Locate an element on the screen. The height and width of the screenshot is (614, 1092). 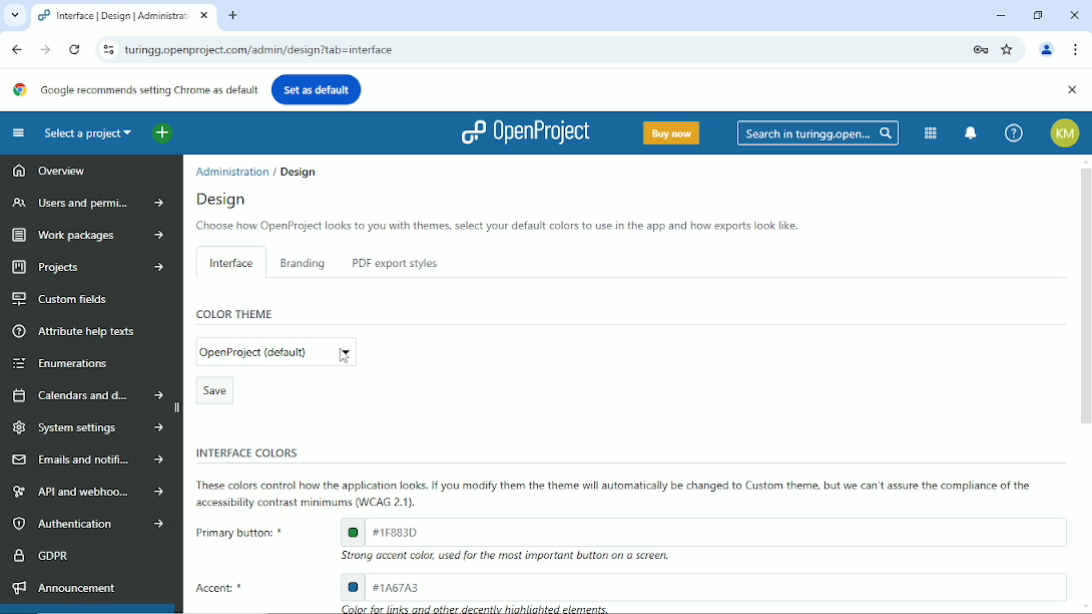
Accent is located at coordinates (225, 589).